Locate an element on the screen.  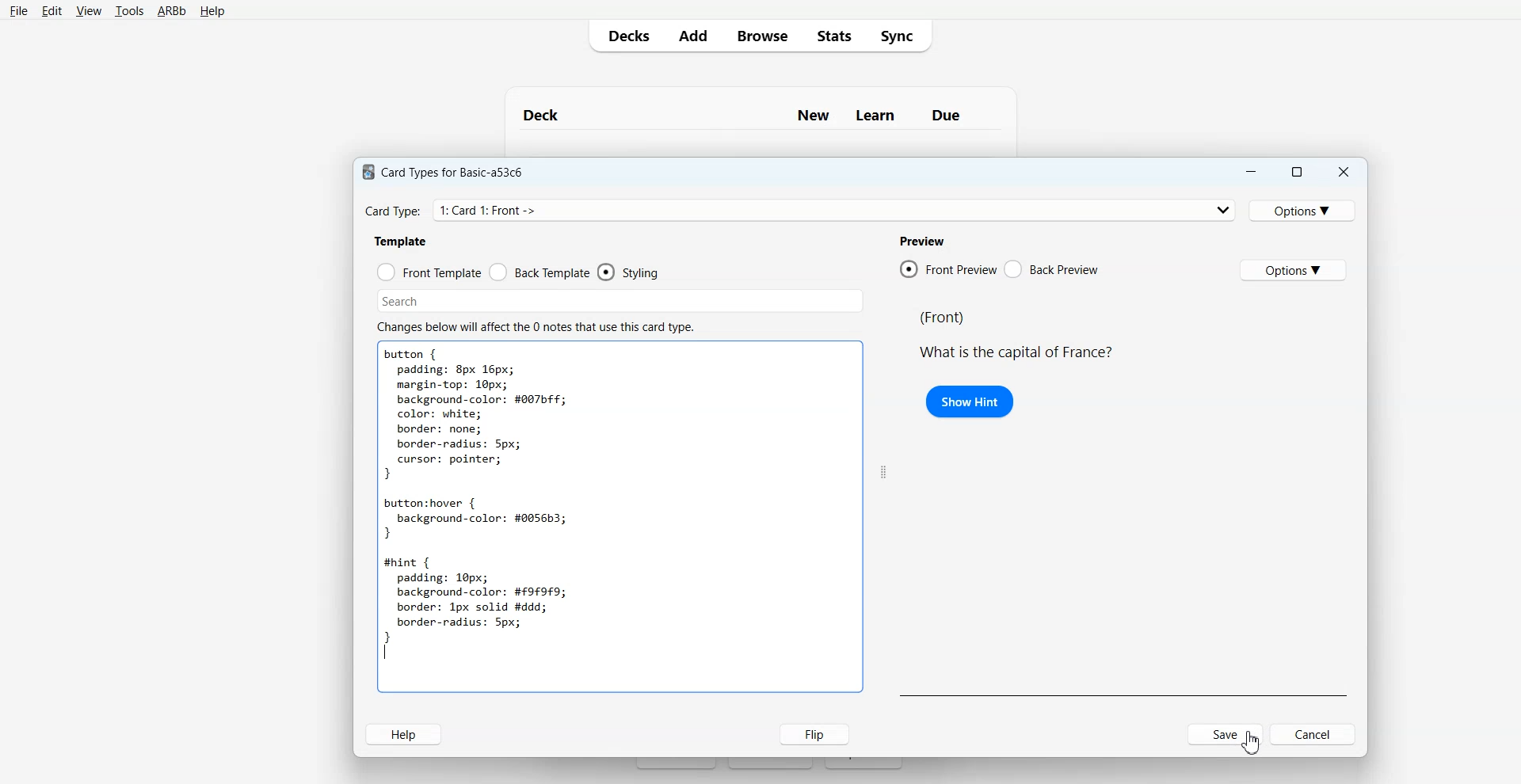
(Front)
What is the capital of France? is located at coordinates (1021, 336).